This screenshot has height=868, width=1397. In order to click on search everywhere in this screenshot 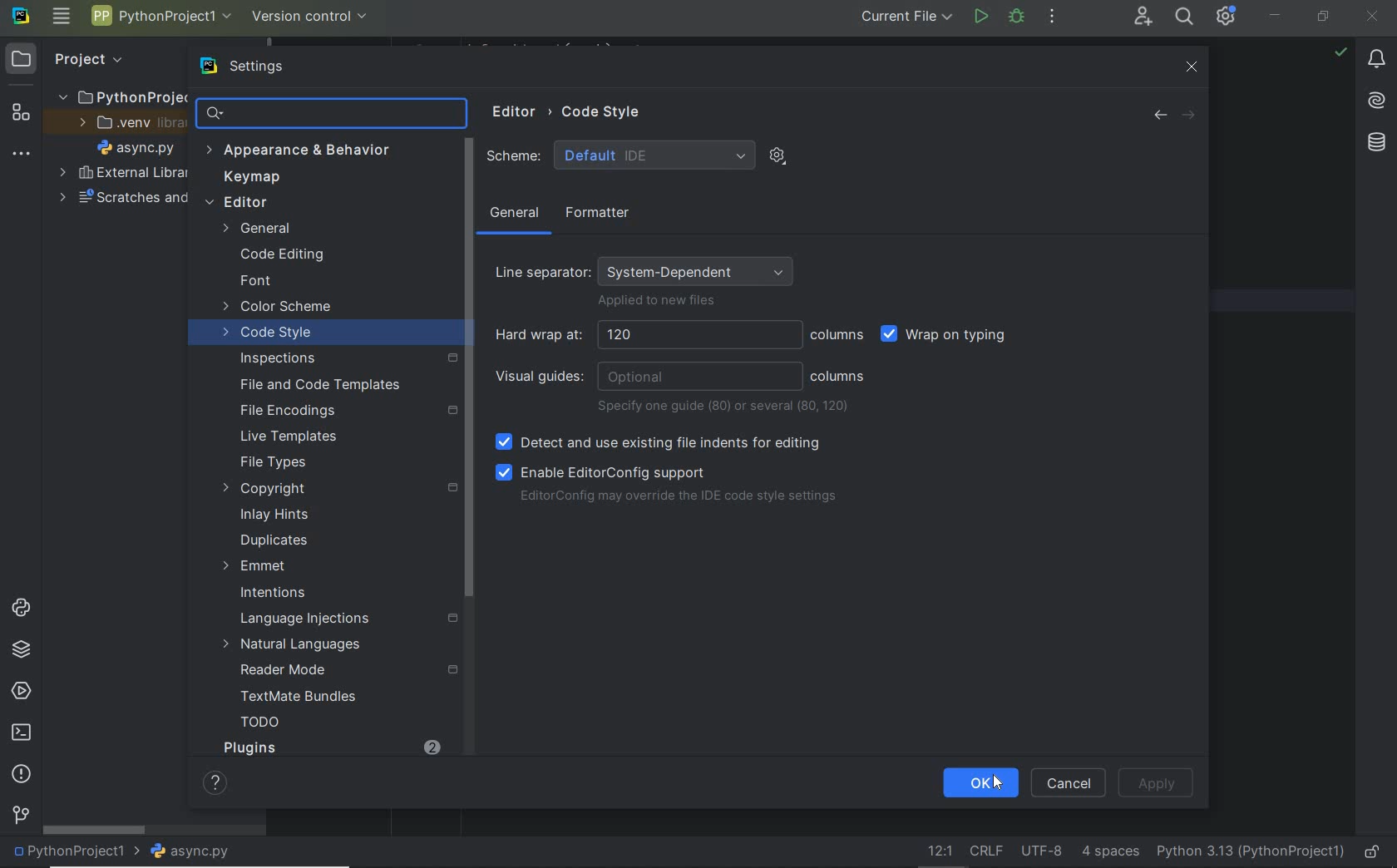, I will do `click(1186, 18)`.